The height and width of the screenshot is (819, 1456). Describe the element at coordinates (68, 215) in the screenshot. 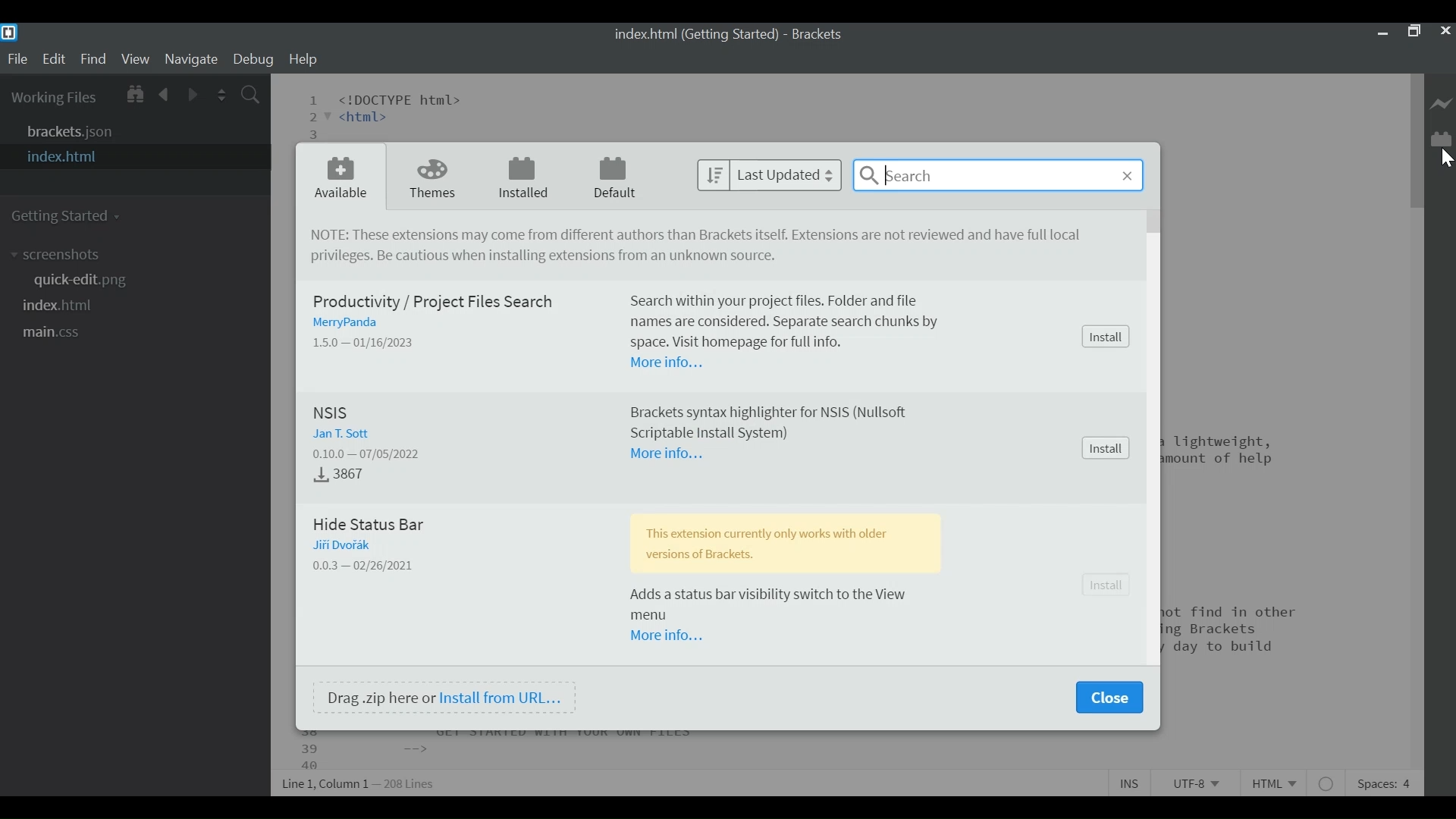

I see `Getting Started` at that location.